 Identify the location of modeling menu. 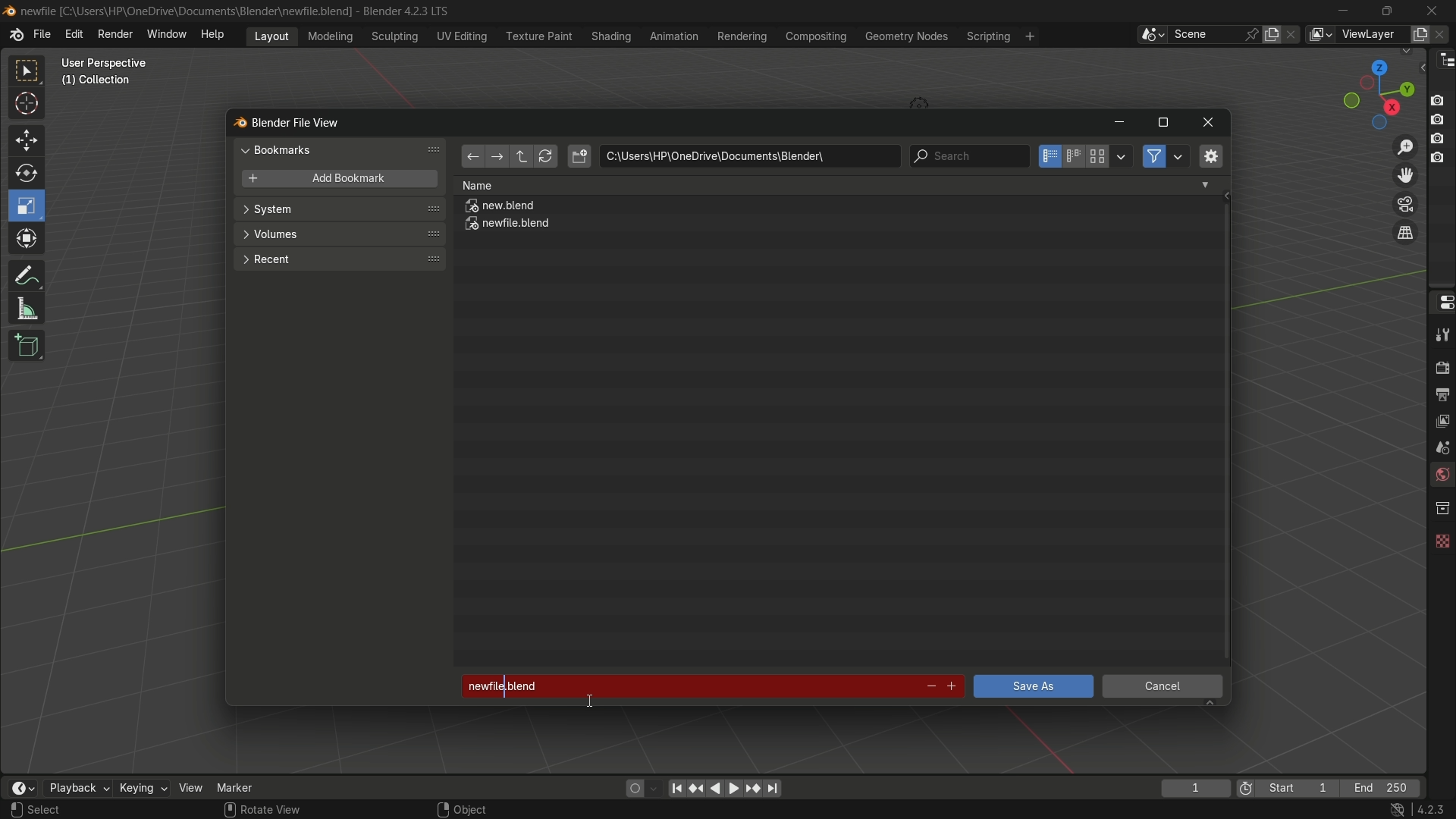
(331, 35).